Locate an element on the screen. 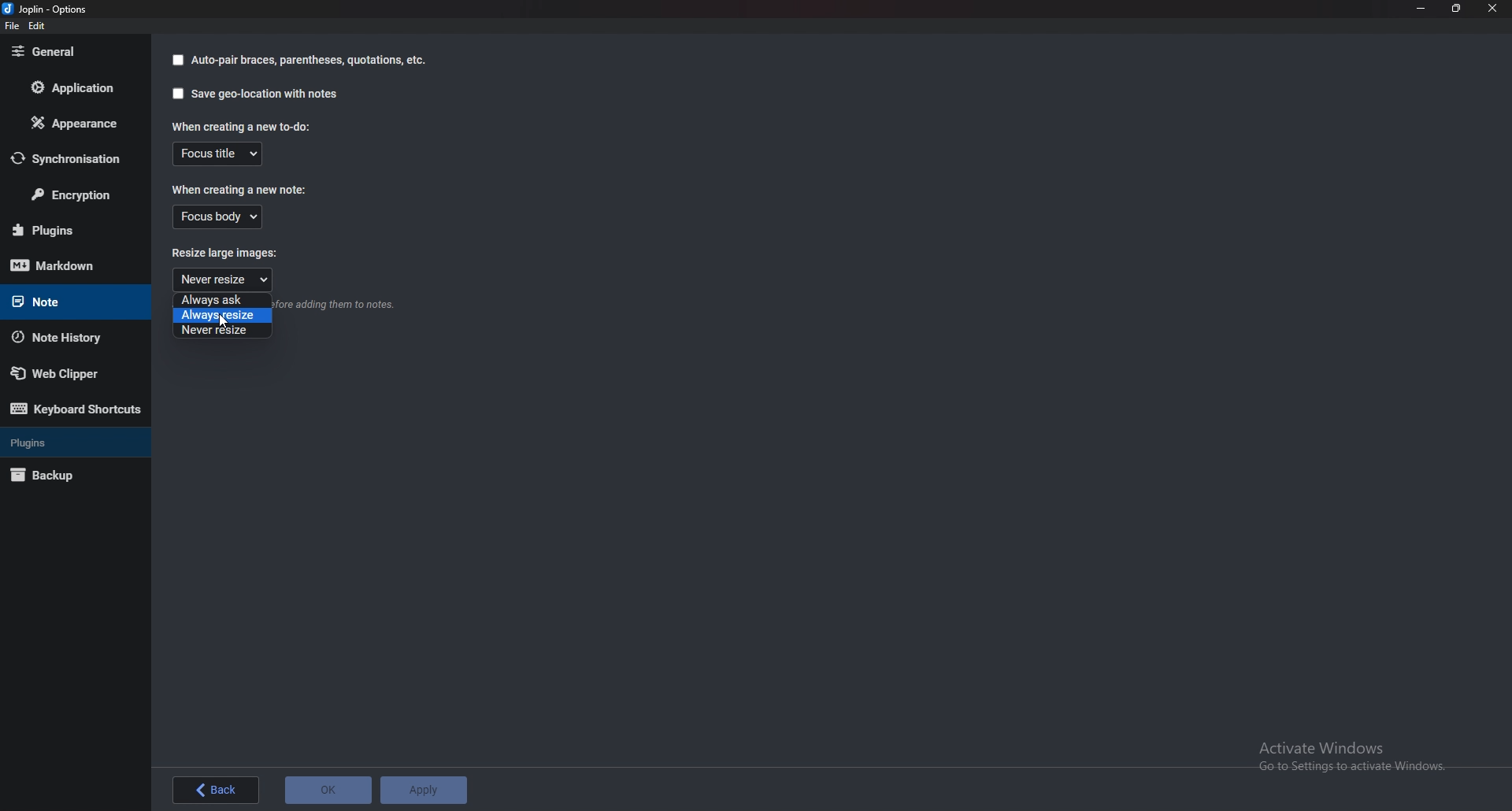  Apply is located at coordinates (423, 791).